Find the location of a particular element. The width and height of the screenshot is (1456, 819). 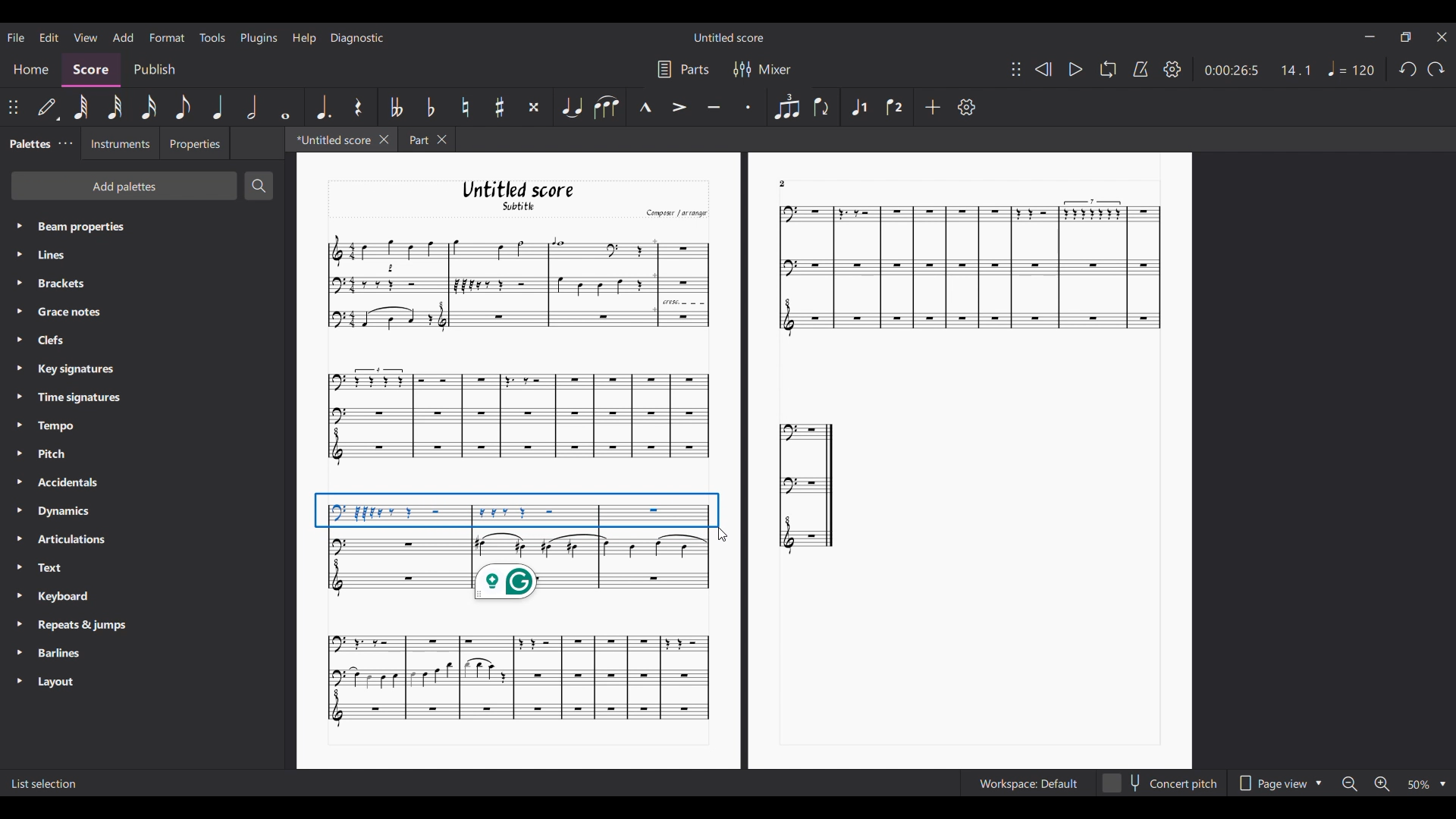

Metronome is located at coordinates (1141, 69).